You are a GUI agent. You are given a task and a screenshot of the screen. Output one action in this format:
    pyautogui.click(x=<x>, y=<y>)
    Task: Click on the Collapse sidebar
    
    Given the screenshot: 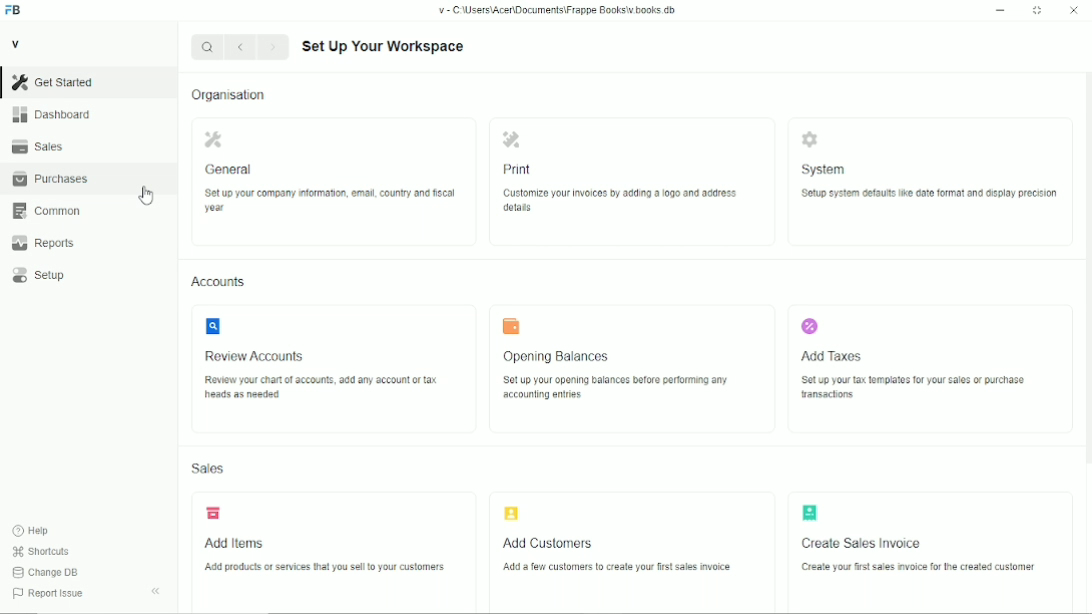 What is the action you would take?
    pyautogui.click(x=155, y=591)
    